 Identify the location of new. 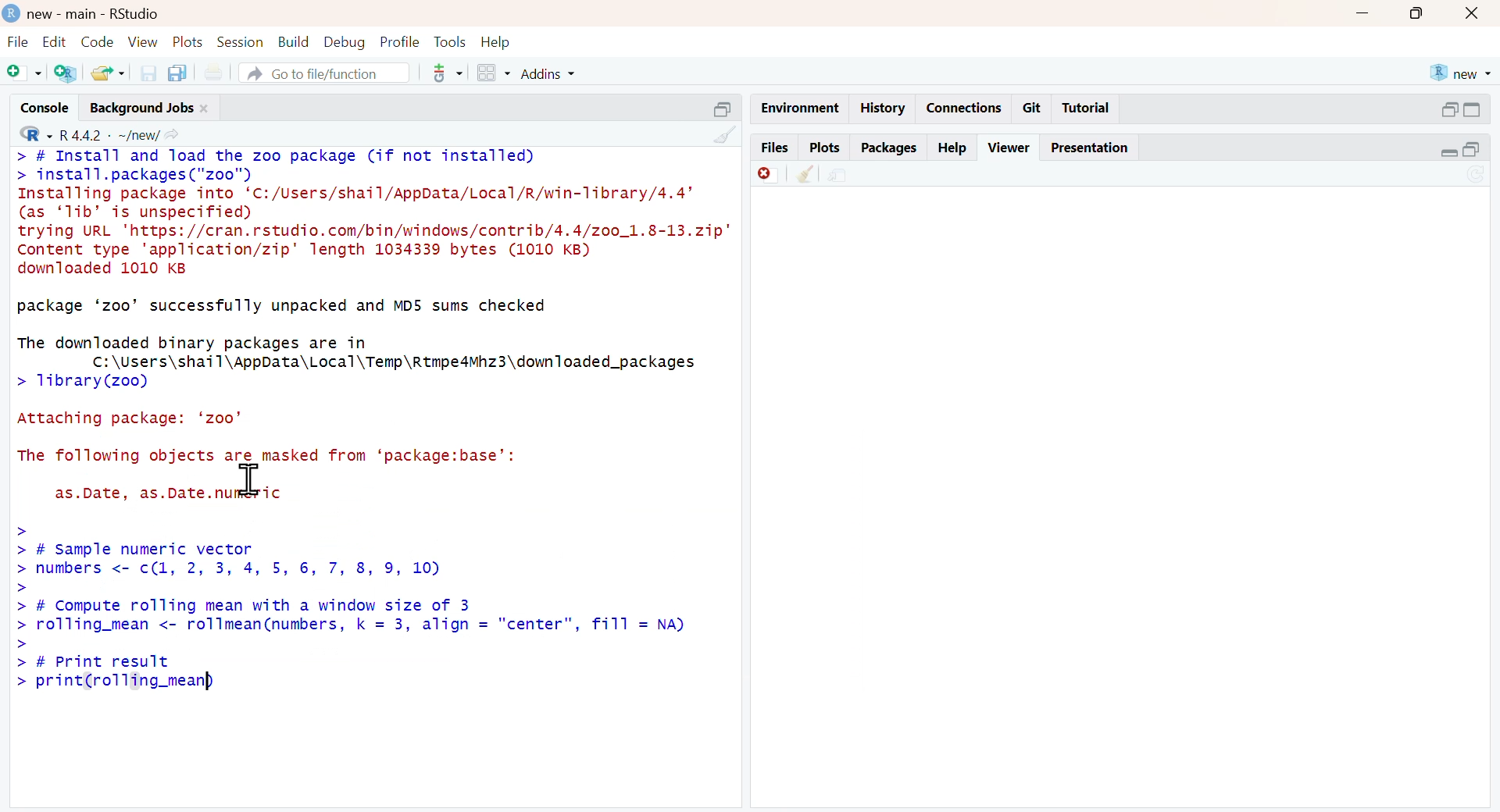
(1460, 74).